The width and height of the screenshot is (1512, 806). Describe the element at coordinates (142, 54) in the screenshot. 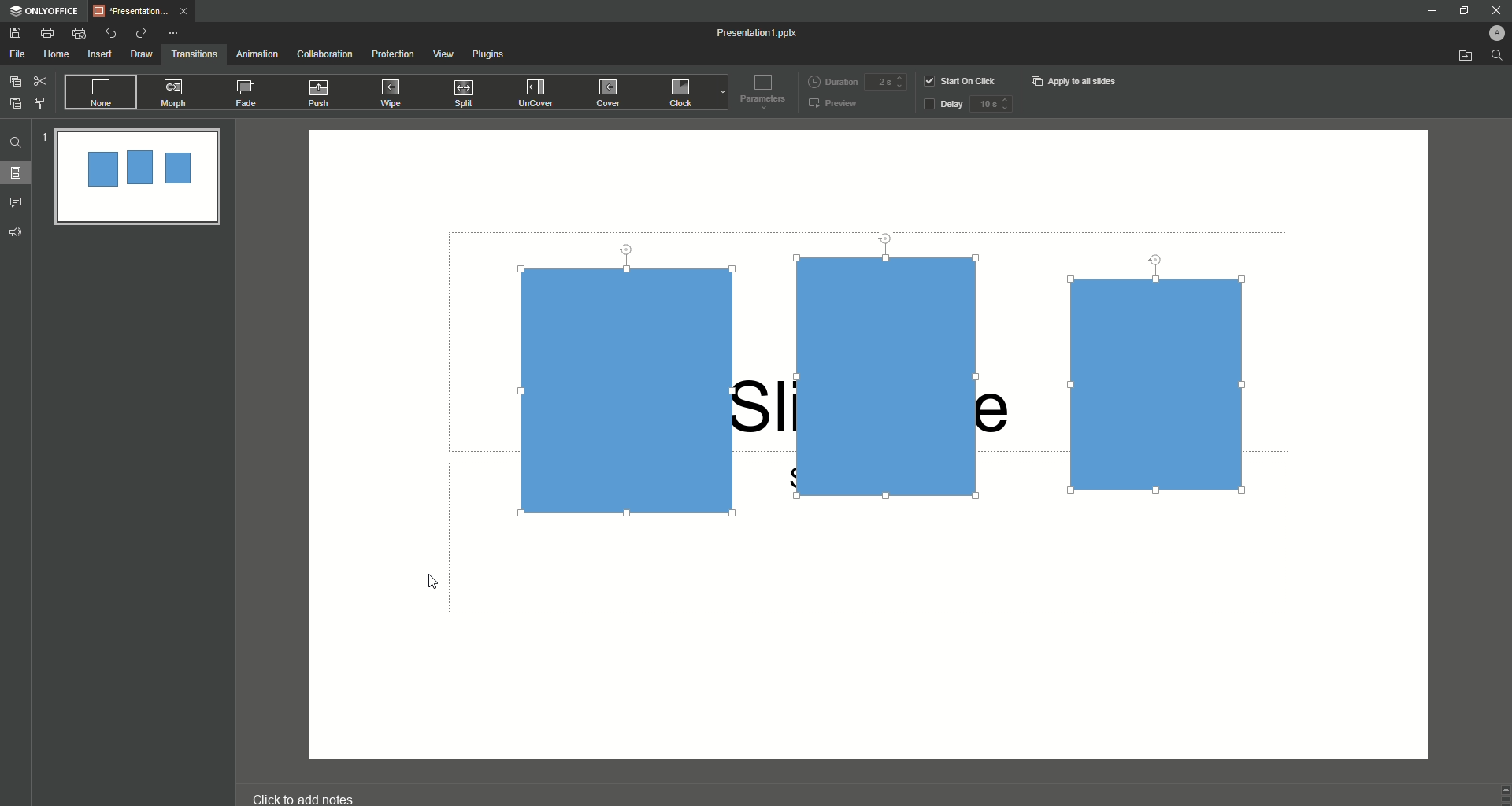

I see `Draw` at that location.